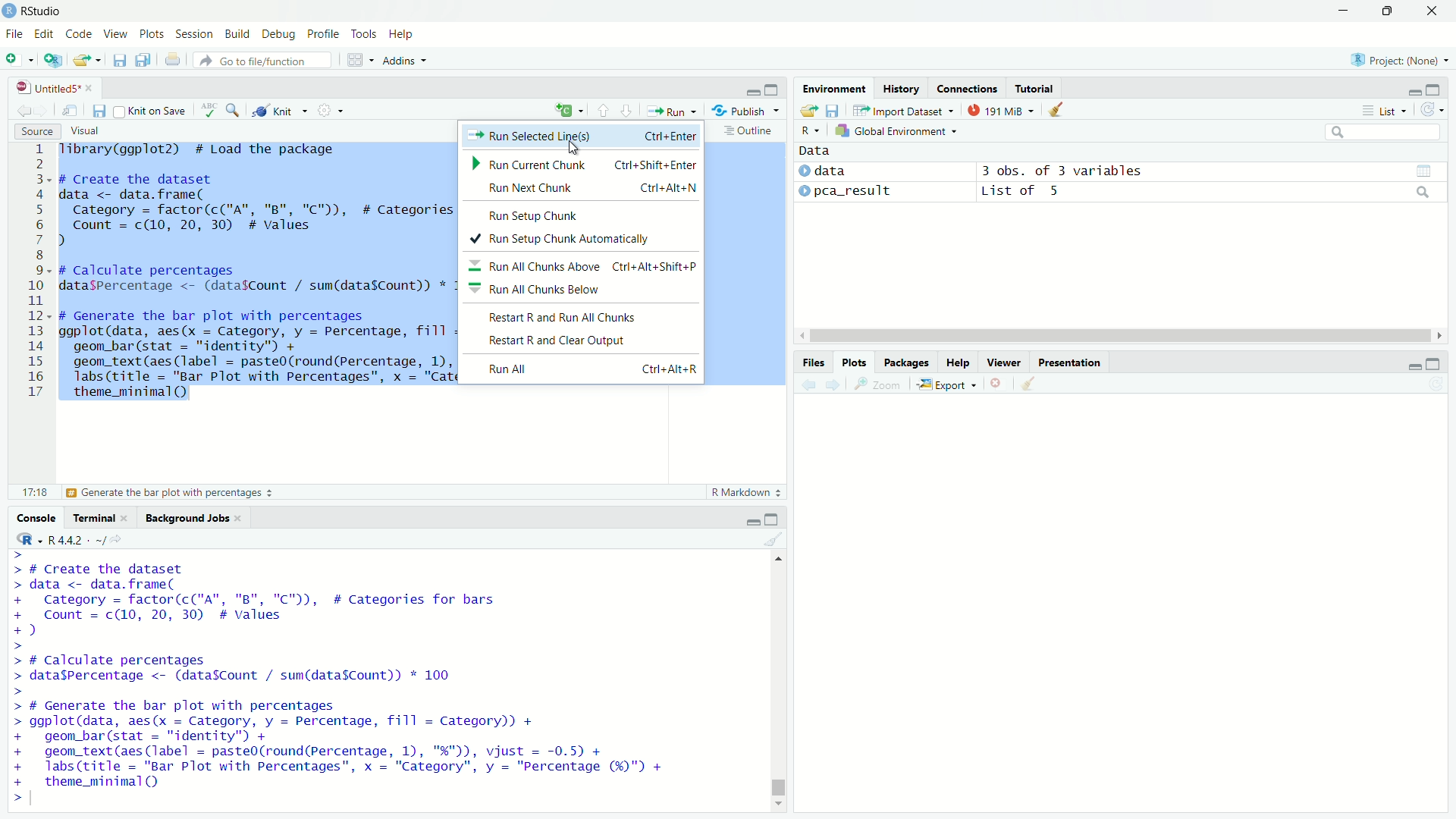  What do you see at coordinates (1389, 12) in the screenshot?
I see `maximize` at bounding box center [1389, 12].